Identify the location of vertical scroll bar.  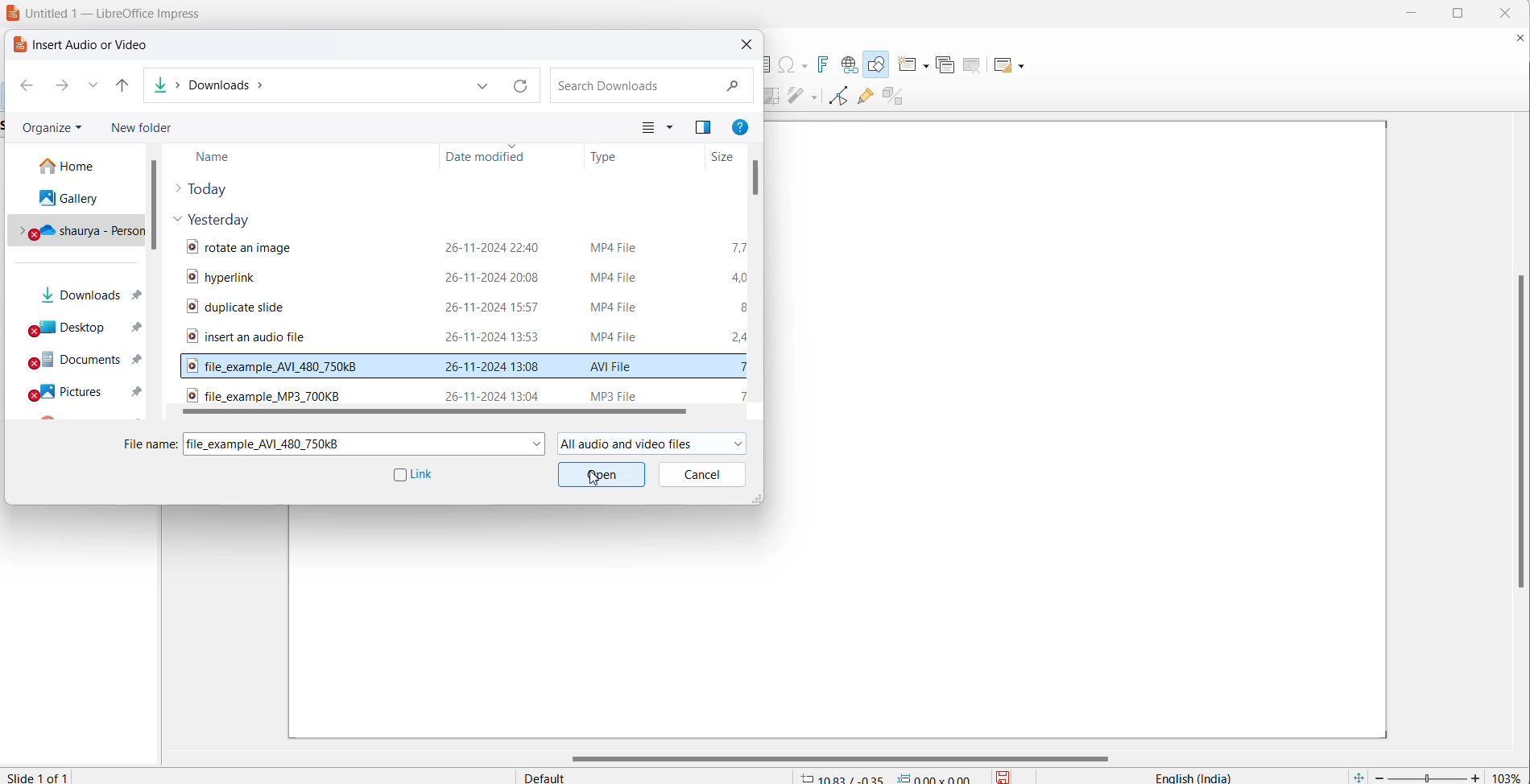
(1520, 435).